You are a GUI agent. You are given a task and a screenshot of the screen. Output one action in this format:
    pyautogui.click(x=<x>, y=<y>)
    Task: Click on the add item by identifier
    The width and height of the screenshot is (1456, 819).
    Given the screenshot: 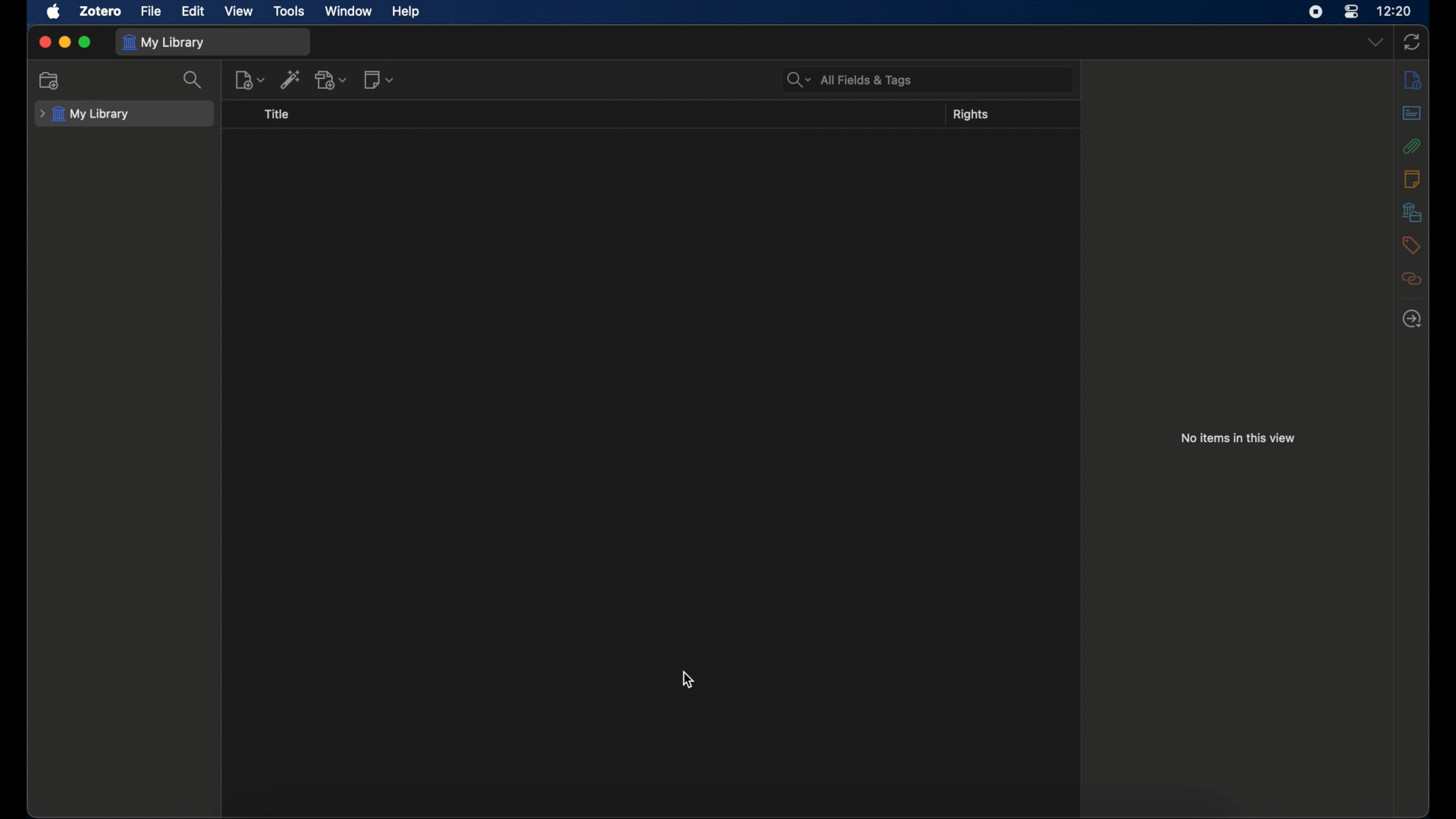 What is the action you would take?
    pyautogui.click(x=290, y=80)
    